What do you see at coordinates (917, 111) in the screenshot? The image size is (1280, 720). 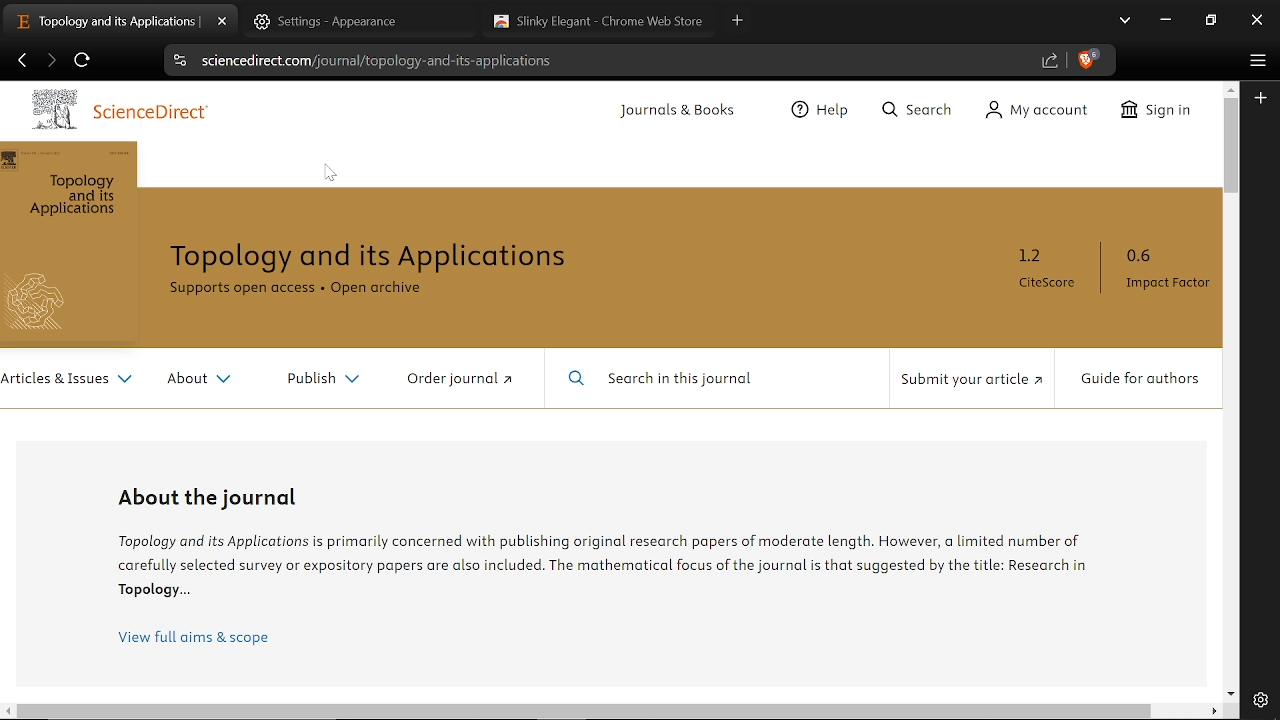 I see `Search` at bounding box center [917, 111].